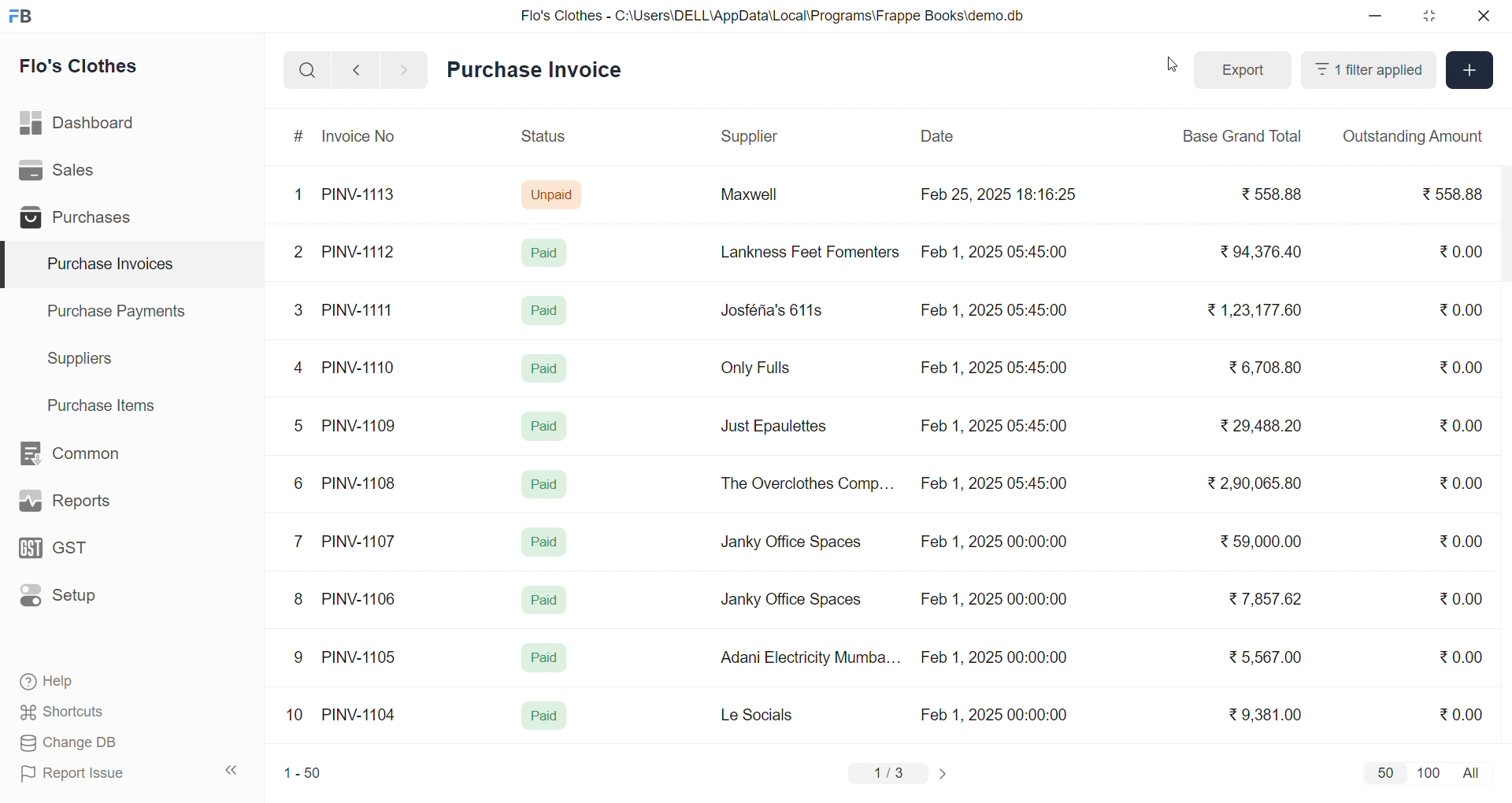 The image size is (1512, 803). What do you see at coordinates (107, 403) in the screenshot?
I see `Purchase Items` at bounding box center [107, 403].